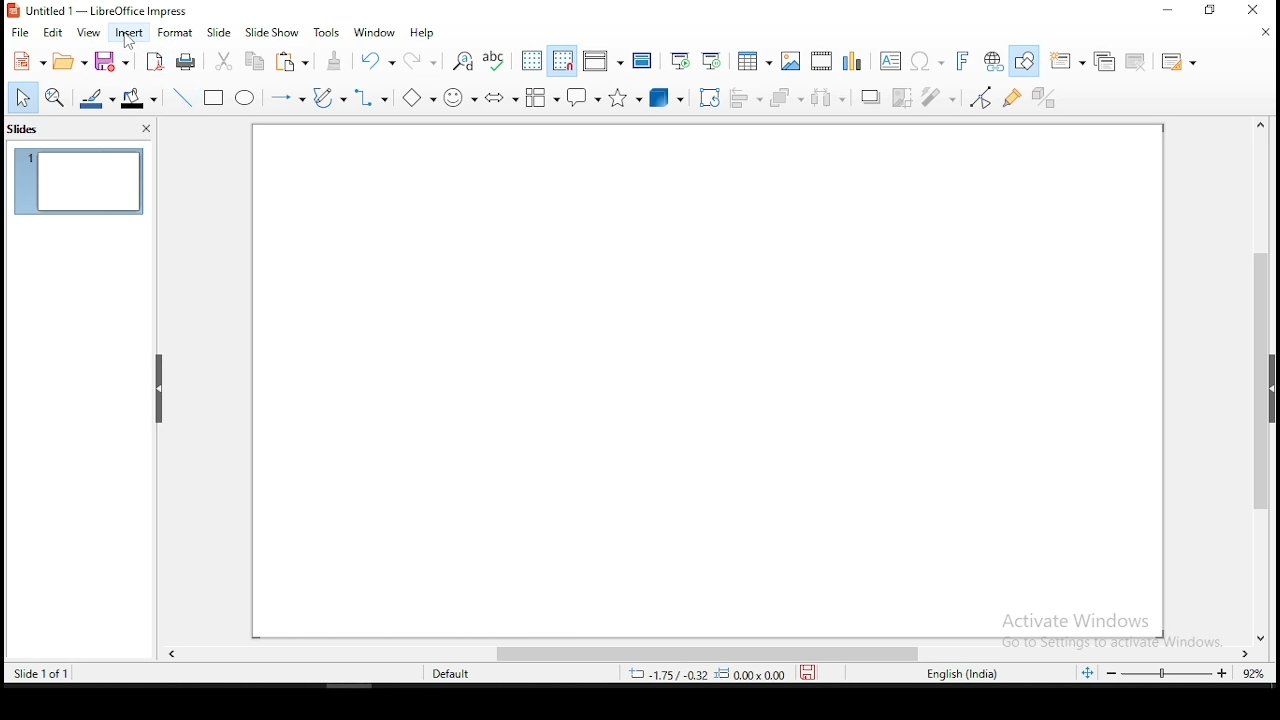 The width and height of the screenshot is (1280, 720). I want to click on distribute, so click(825, 98).